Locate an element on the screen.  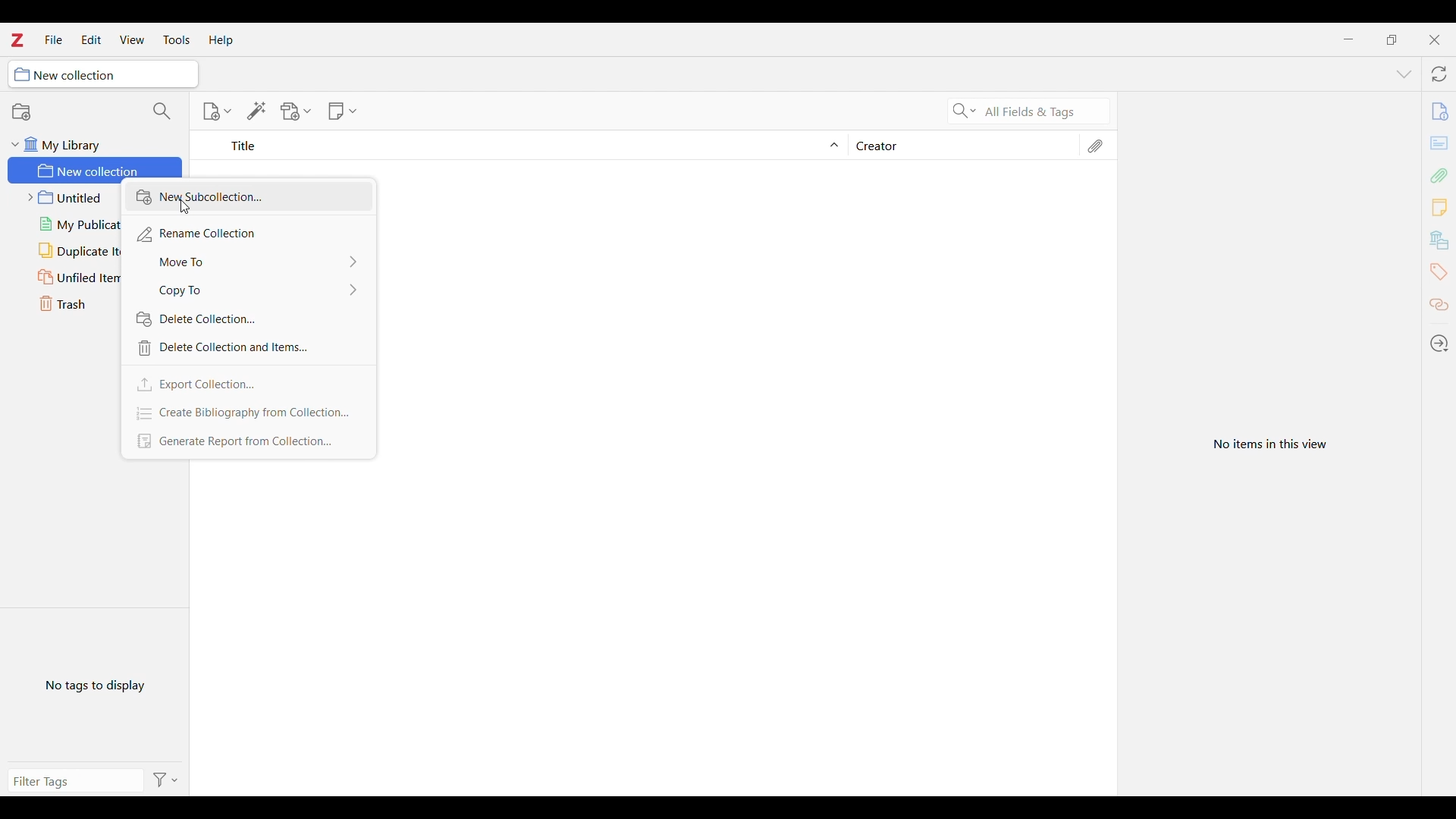
No tags to display  is located at coordinates (96, 686).